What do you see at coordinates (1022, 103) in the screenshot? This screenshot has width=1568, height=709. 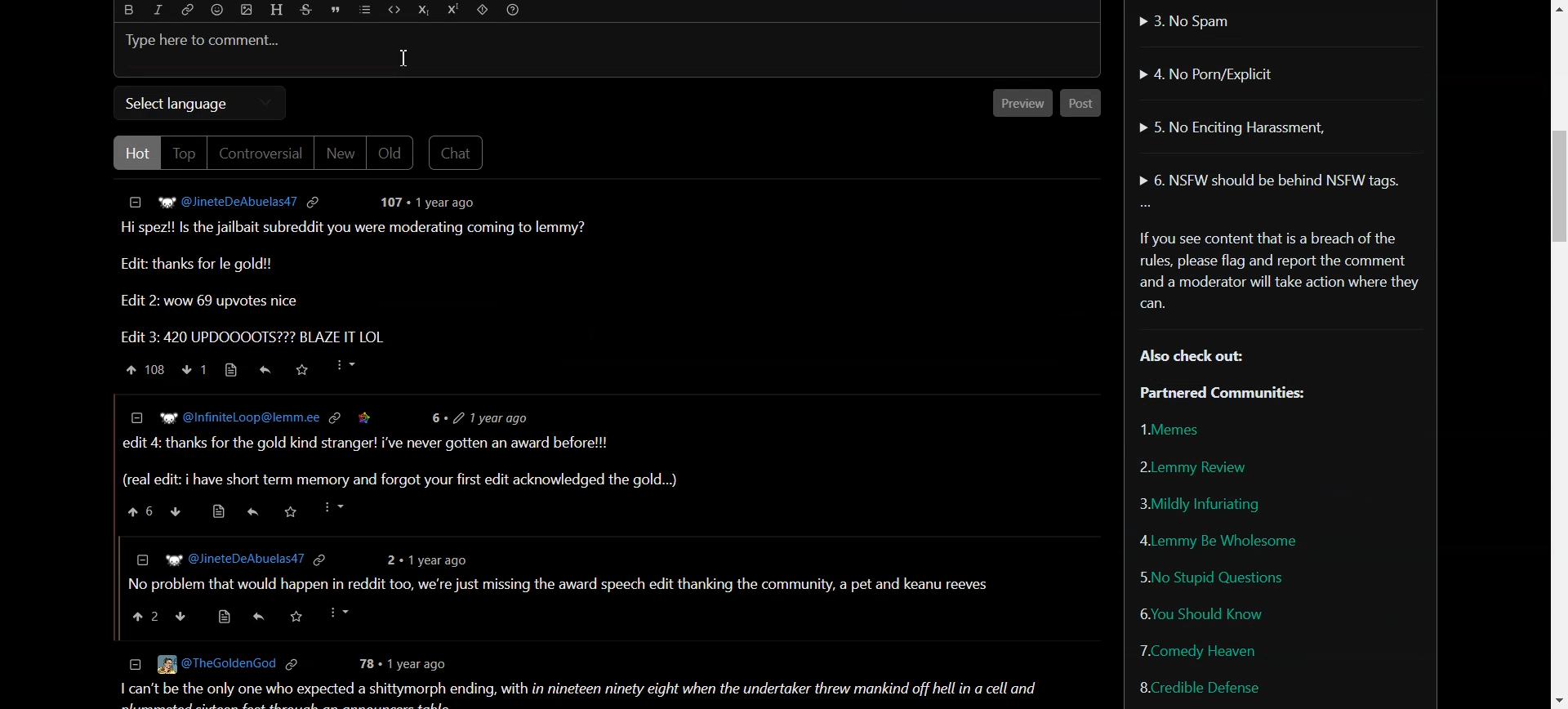 I see `Preview` at bounding box center [1022, 103].